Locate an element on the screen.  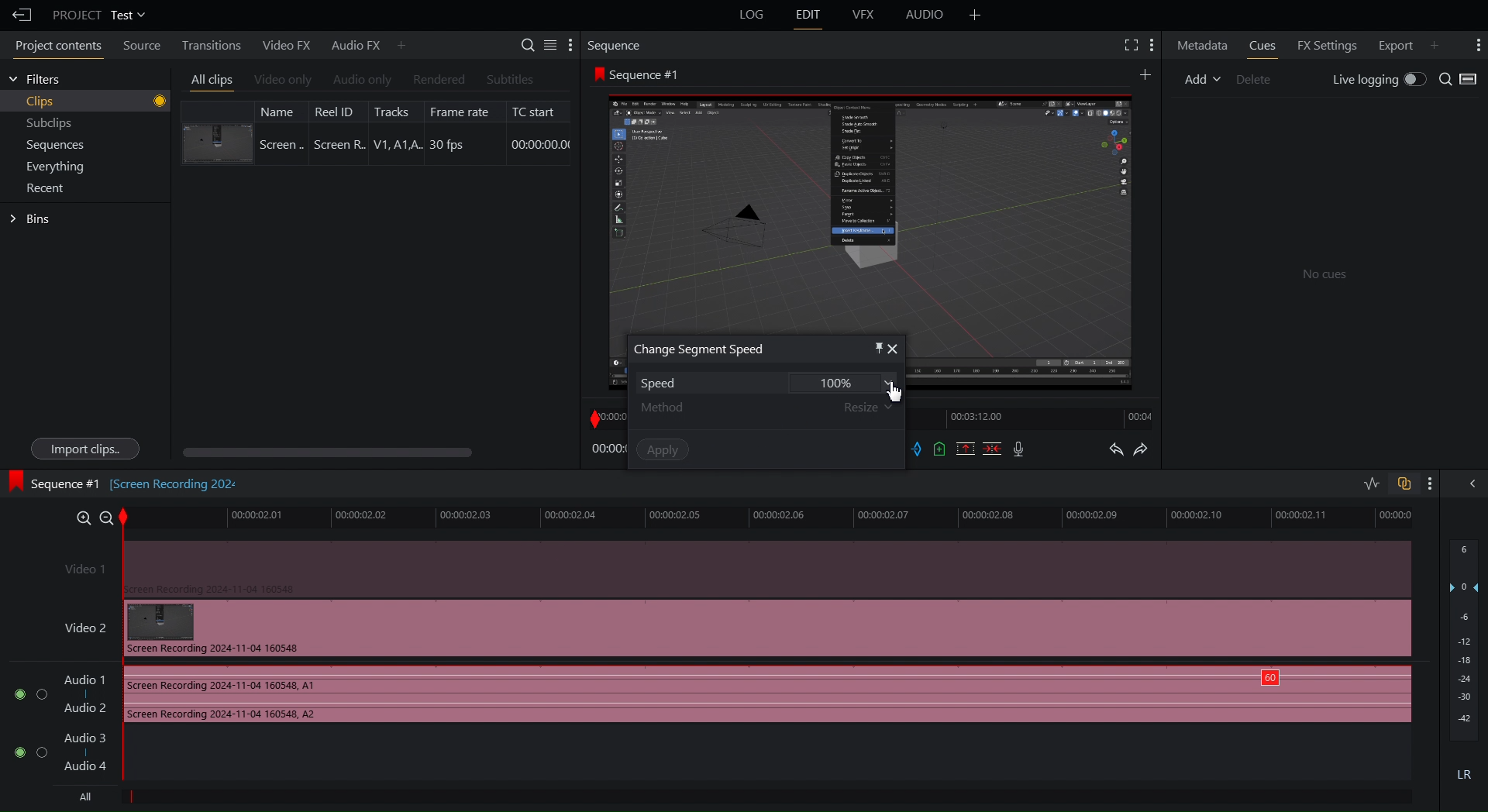
Audio is located at coordinates (925, 17).